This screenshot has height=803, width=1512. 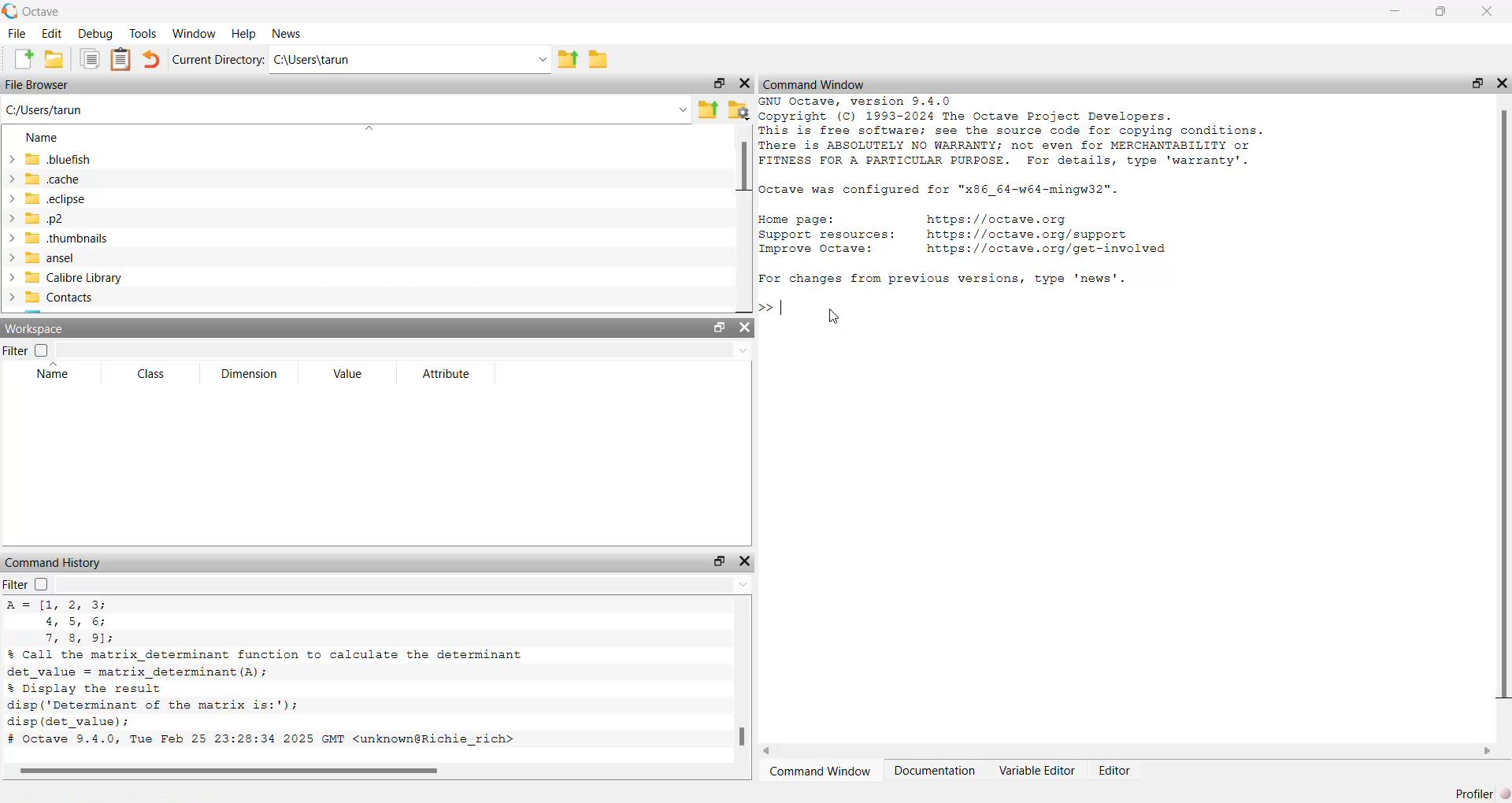 I want to click on dimension, so click(x=251, y=375).